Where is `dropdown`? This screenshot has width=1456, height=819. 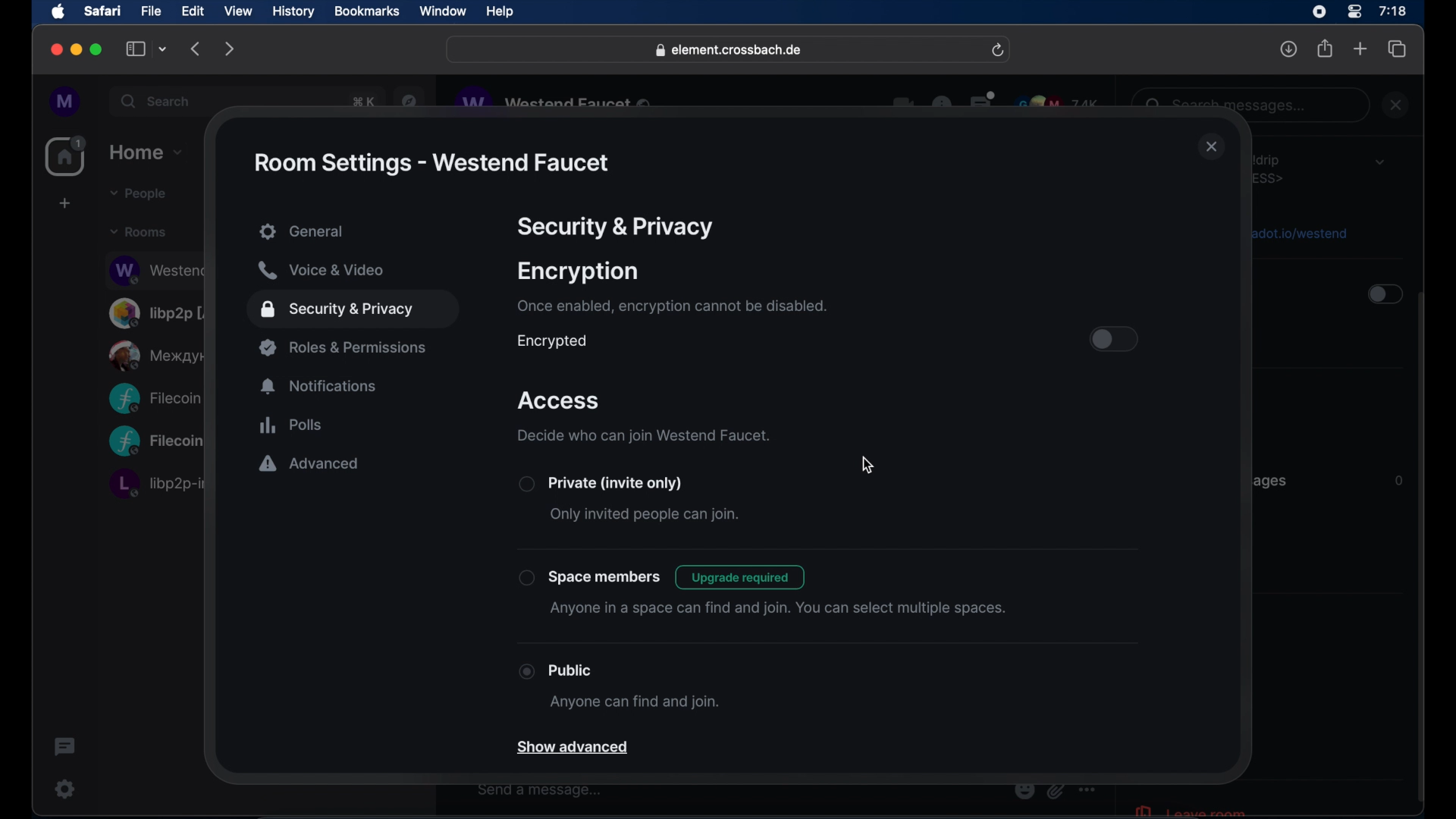 dropdown is located at coordinates (1379, 162).